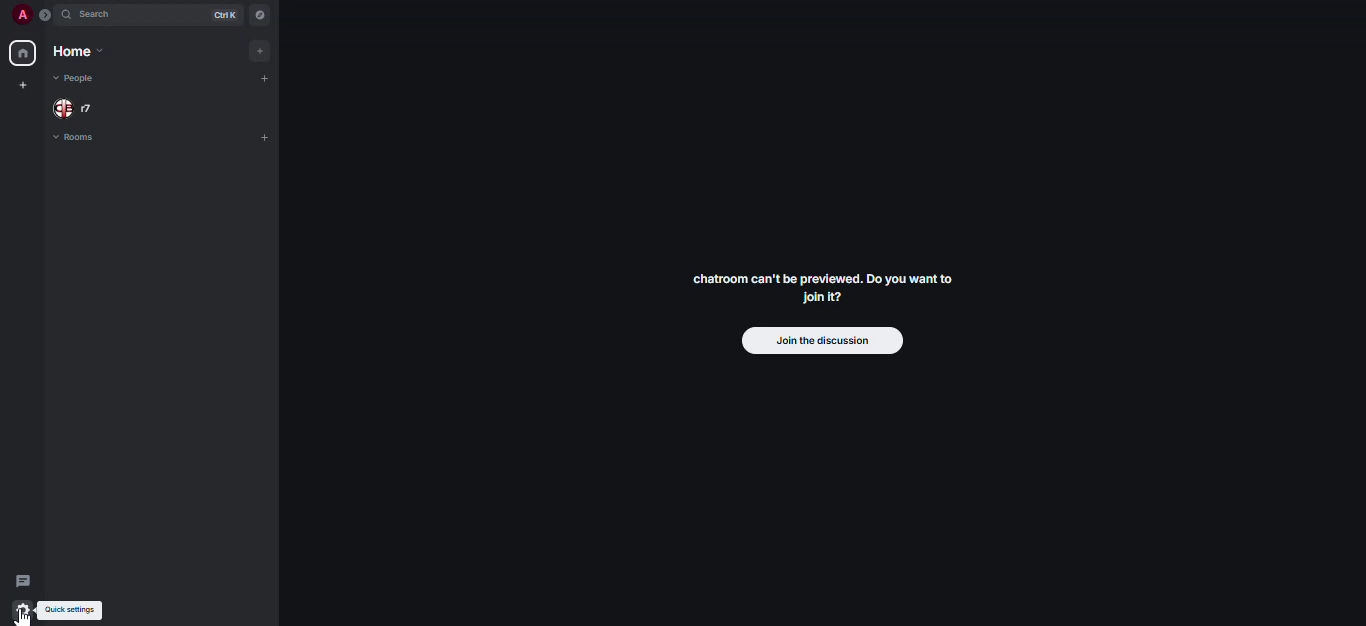 The image size is (1366, 626). Describe the element at coordinates (265, 78) in the screenshot. I see `add` at that location.